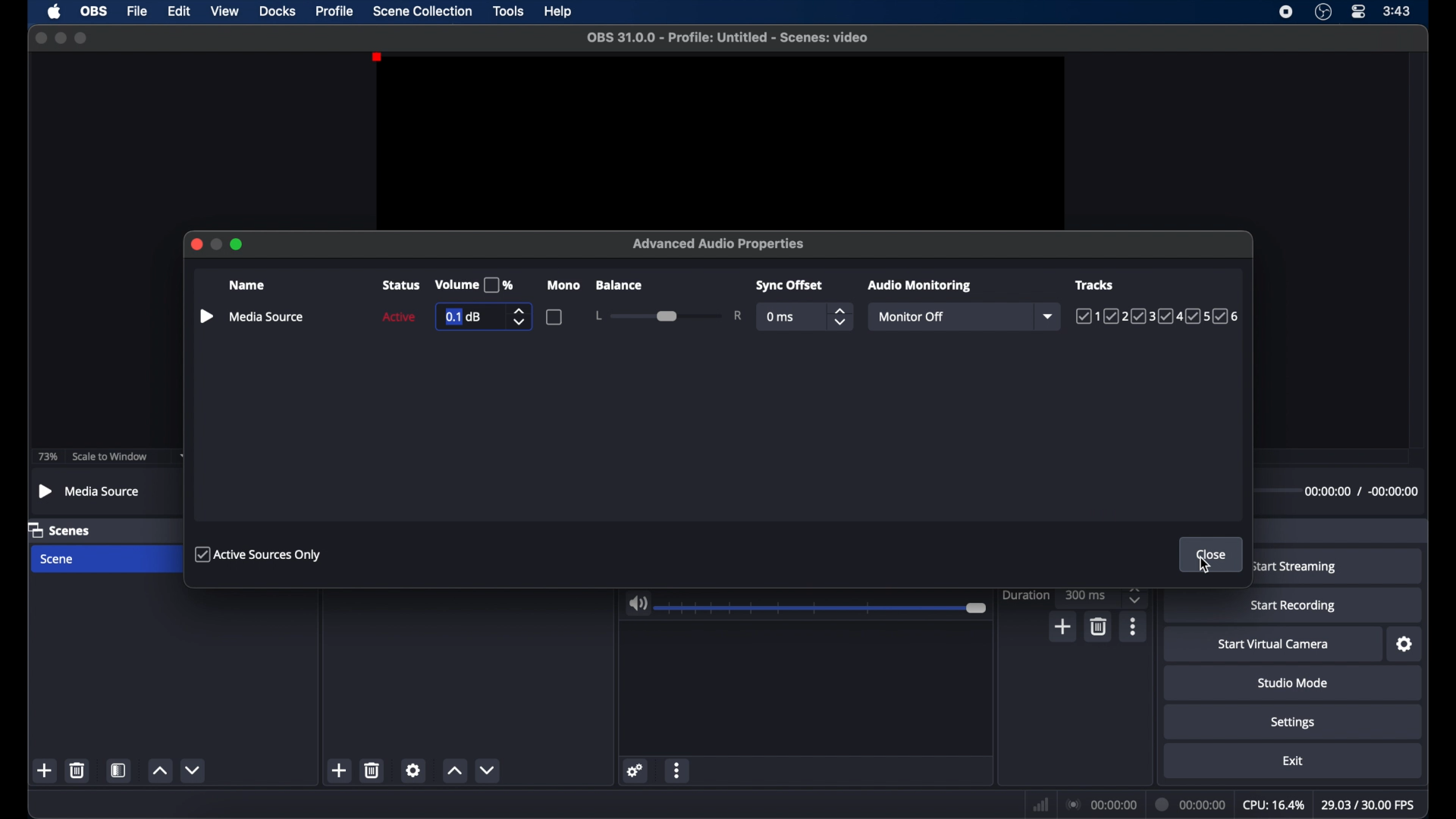  I want to click on more options, so click(1134, 626).